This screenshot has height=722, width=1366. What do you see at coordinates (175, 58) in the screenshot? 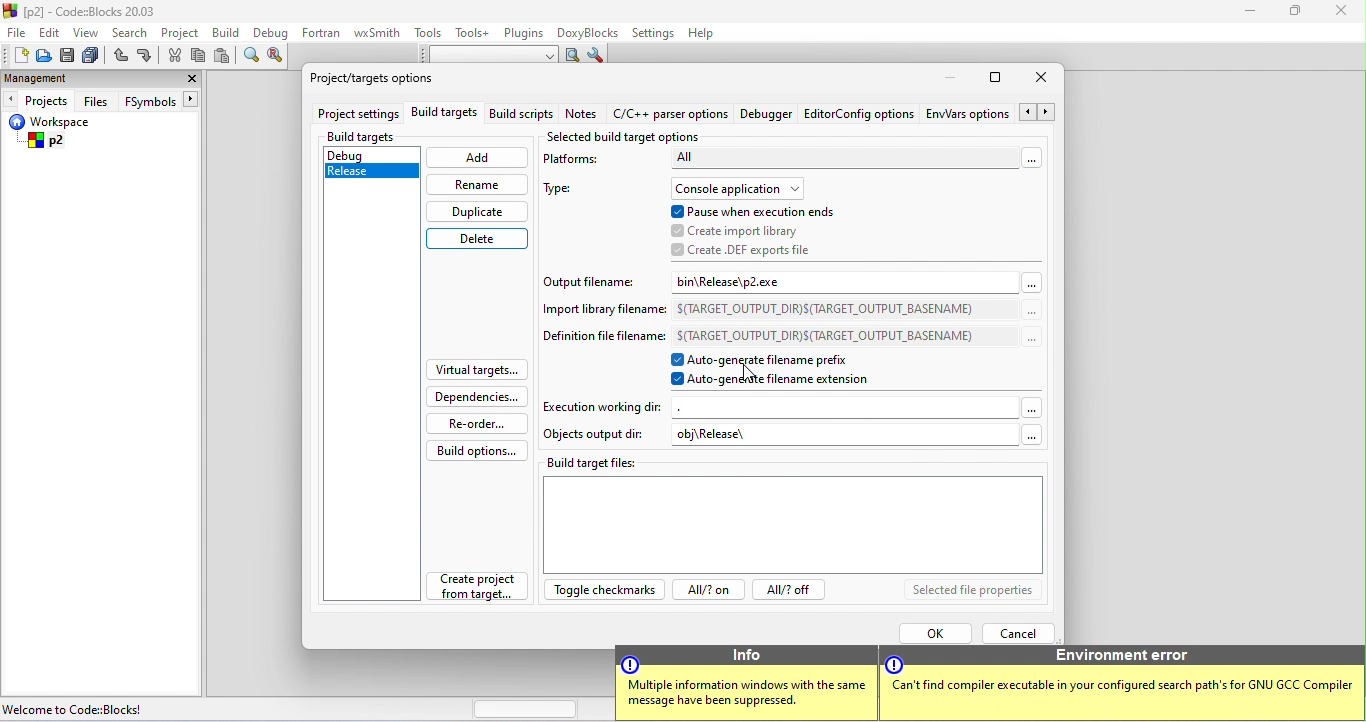
I see `cut` at bounding box center [175, 58].